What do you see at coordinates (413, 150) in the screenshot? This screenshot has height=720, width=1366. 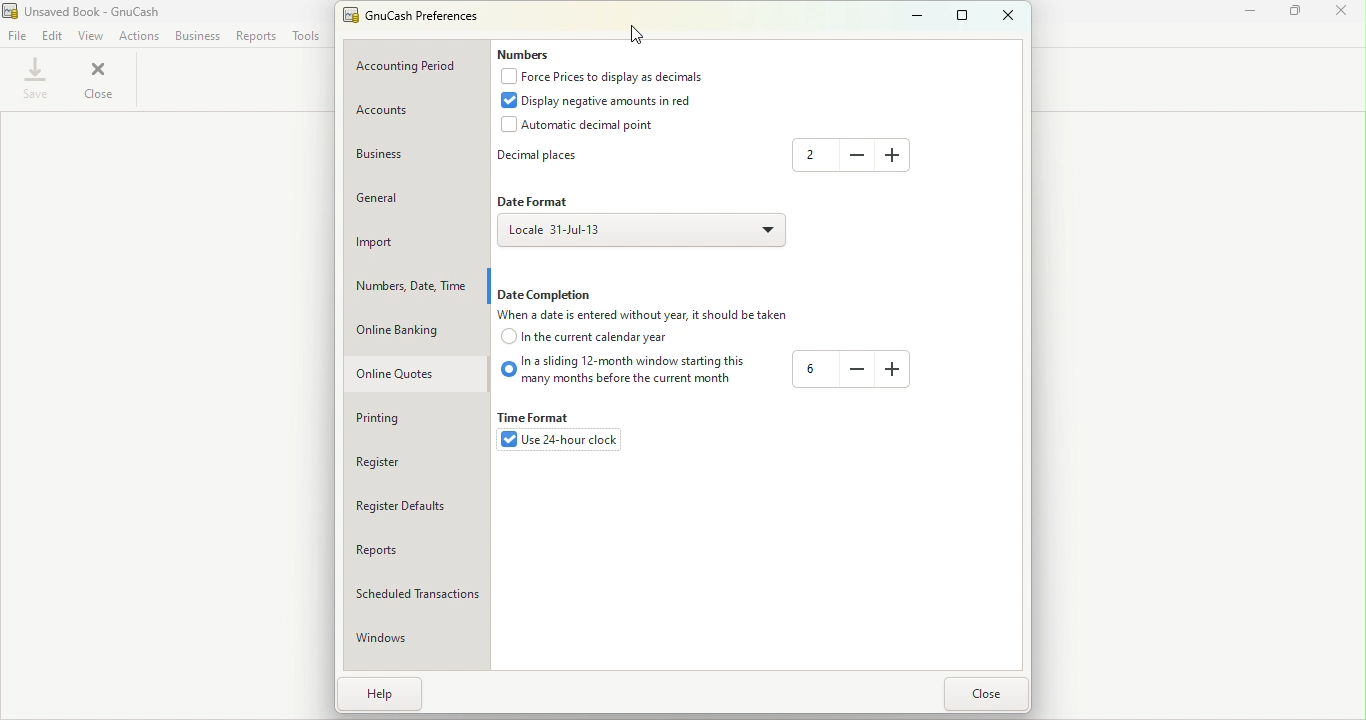 I see `Business` at bounding box center [413, 150].